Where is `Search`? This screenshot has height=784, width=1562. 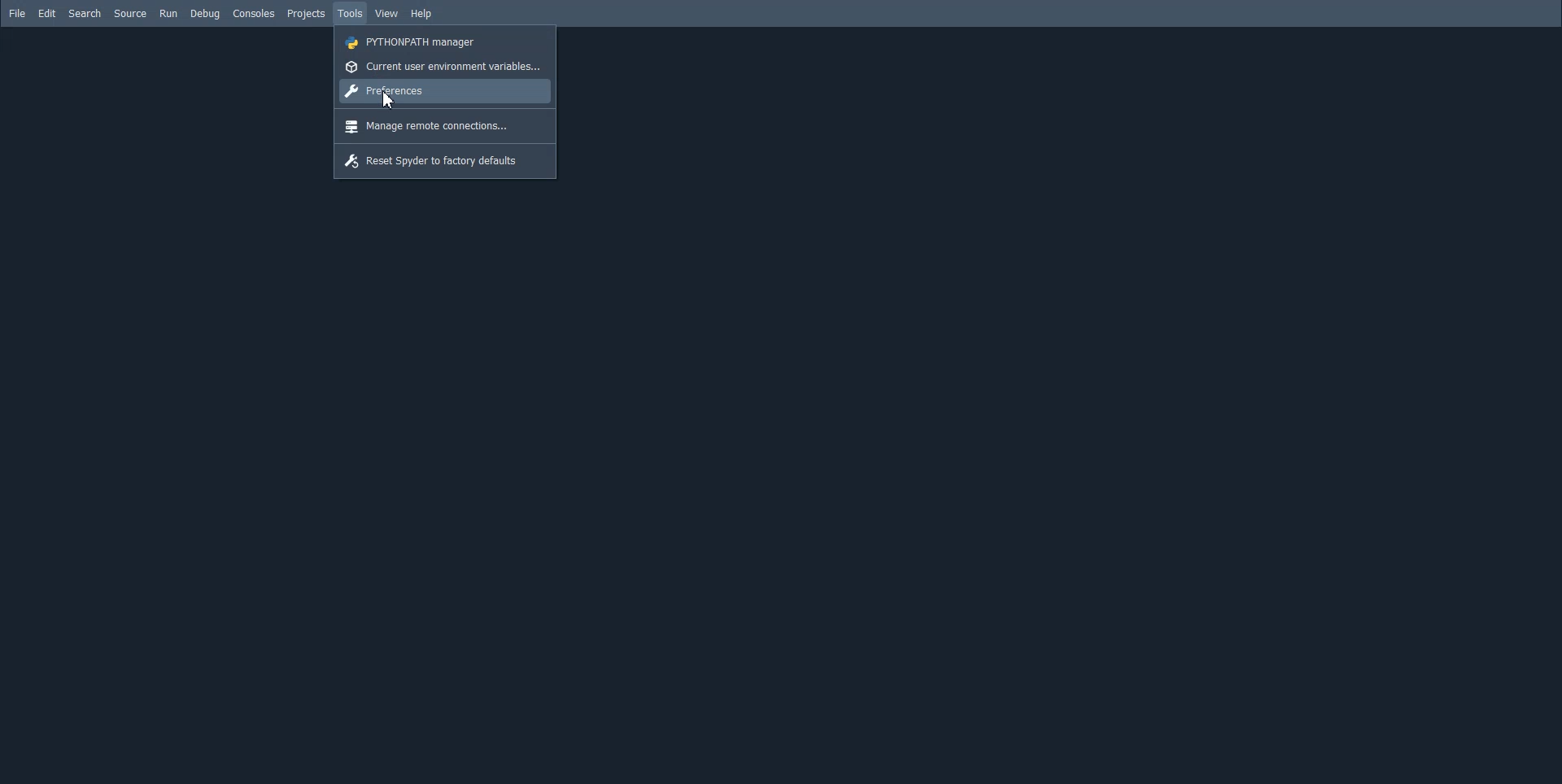 Search is located at coordinates (85, 14).